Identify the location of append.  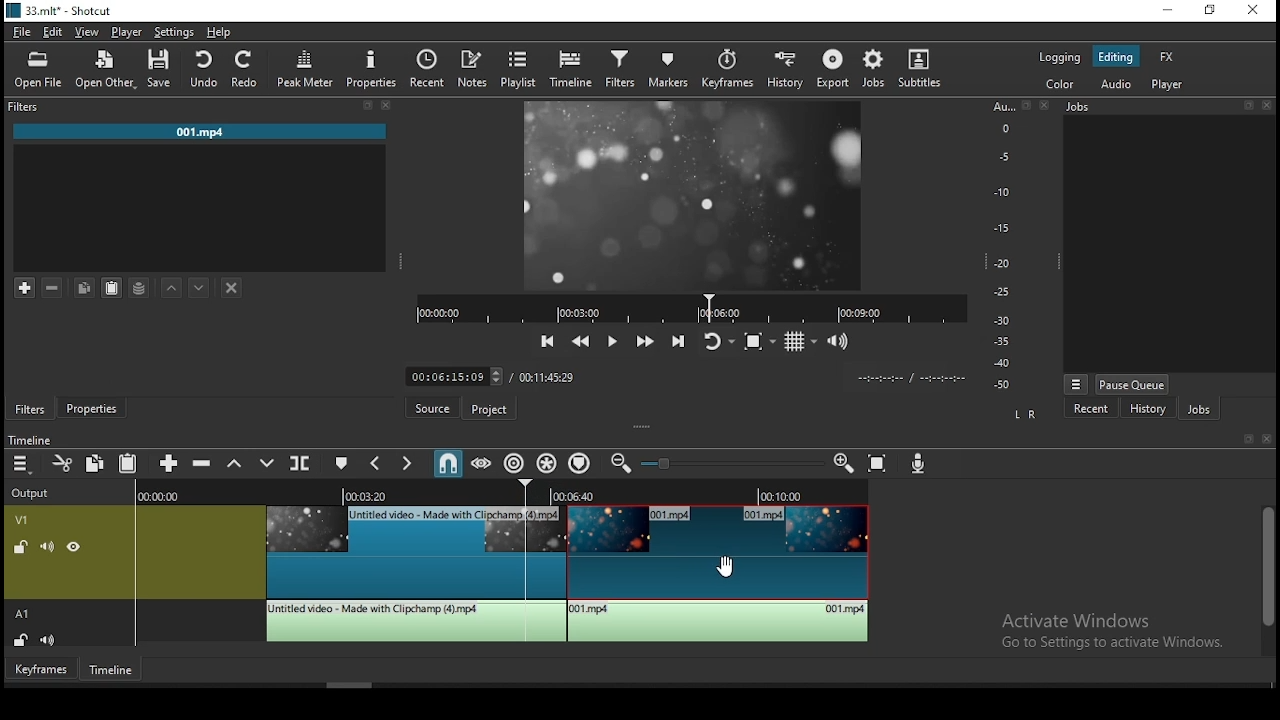
(168, 463).